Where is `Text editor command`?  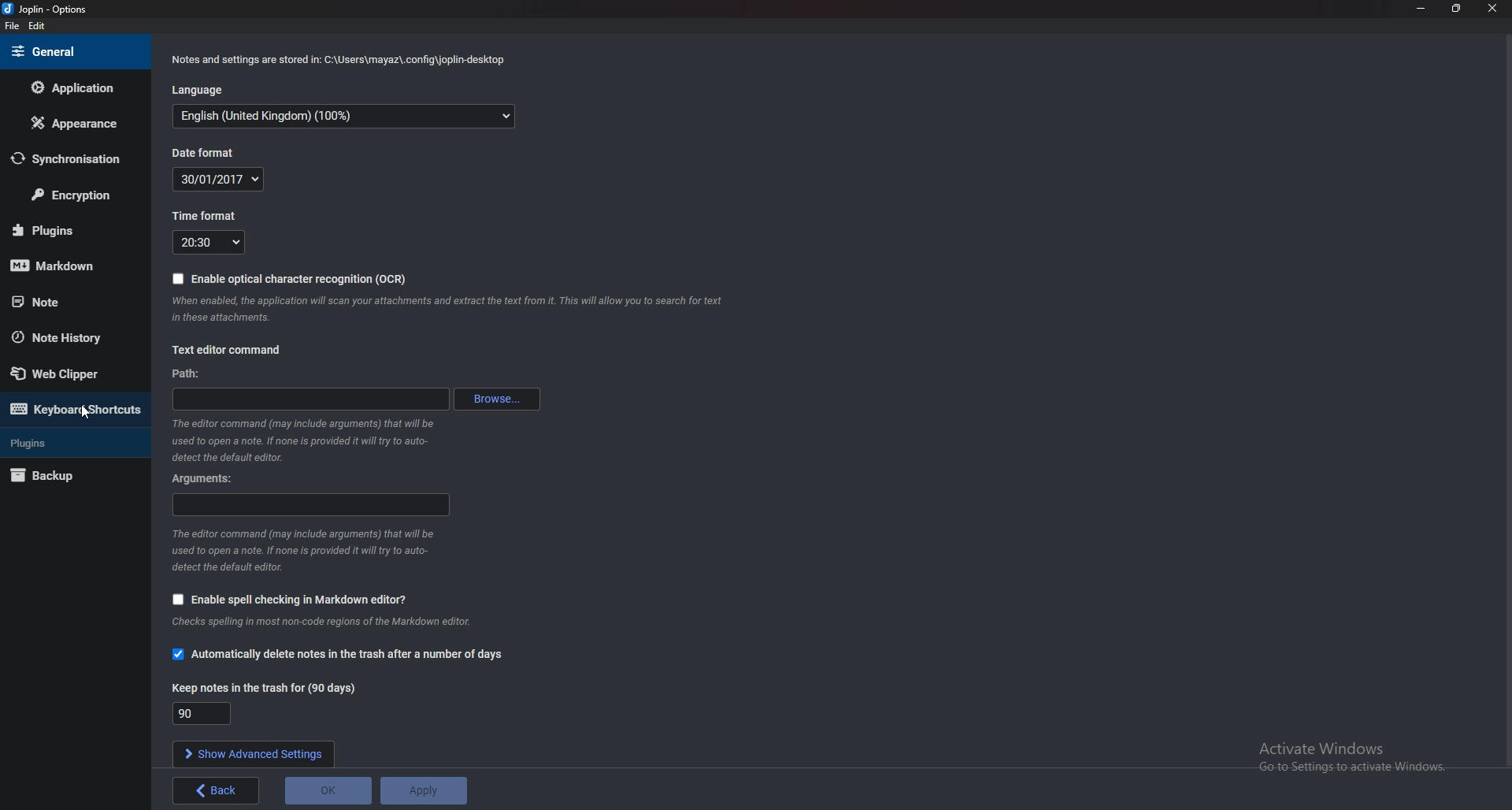 Text editor command is located at coordinates (227, 351).